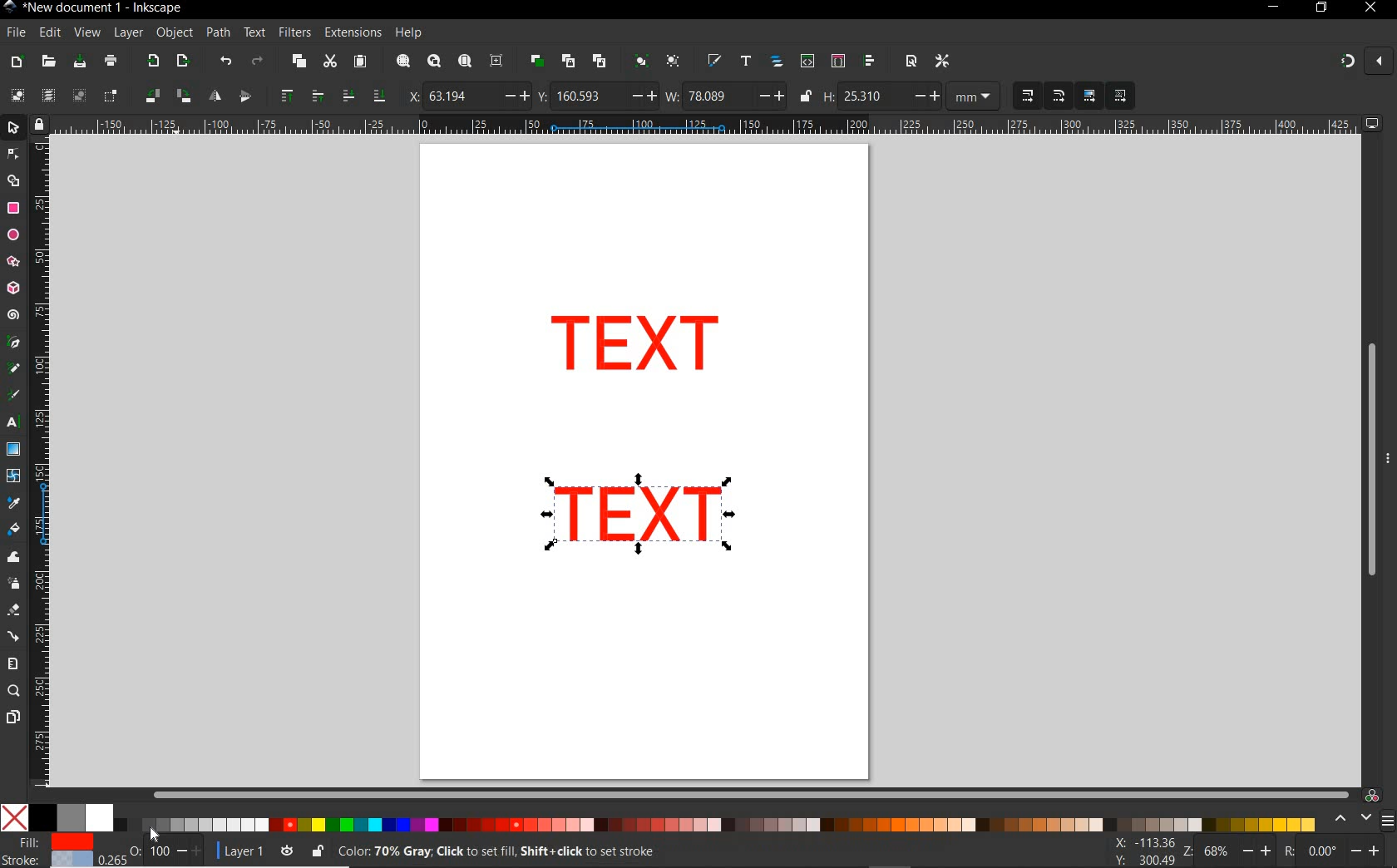  What do you see at coordinates (13, 558) in the screenshot?
I see `tweak tool` at bounding box center [13, 558].